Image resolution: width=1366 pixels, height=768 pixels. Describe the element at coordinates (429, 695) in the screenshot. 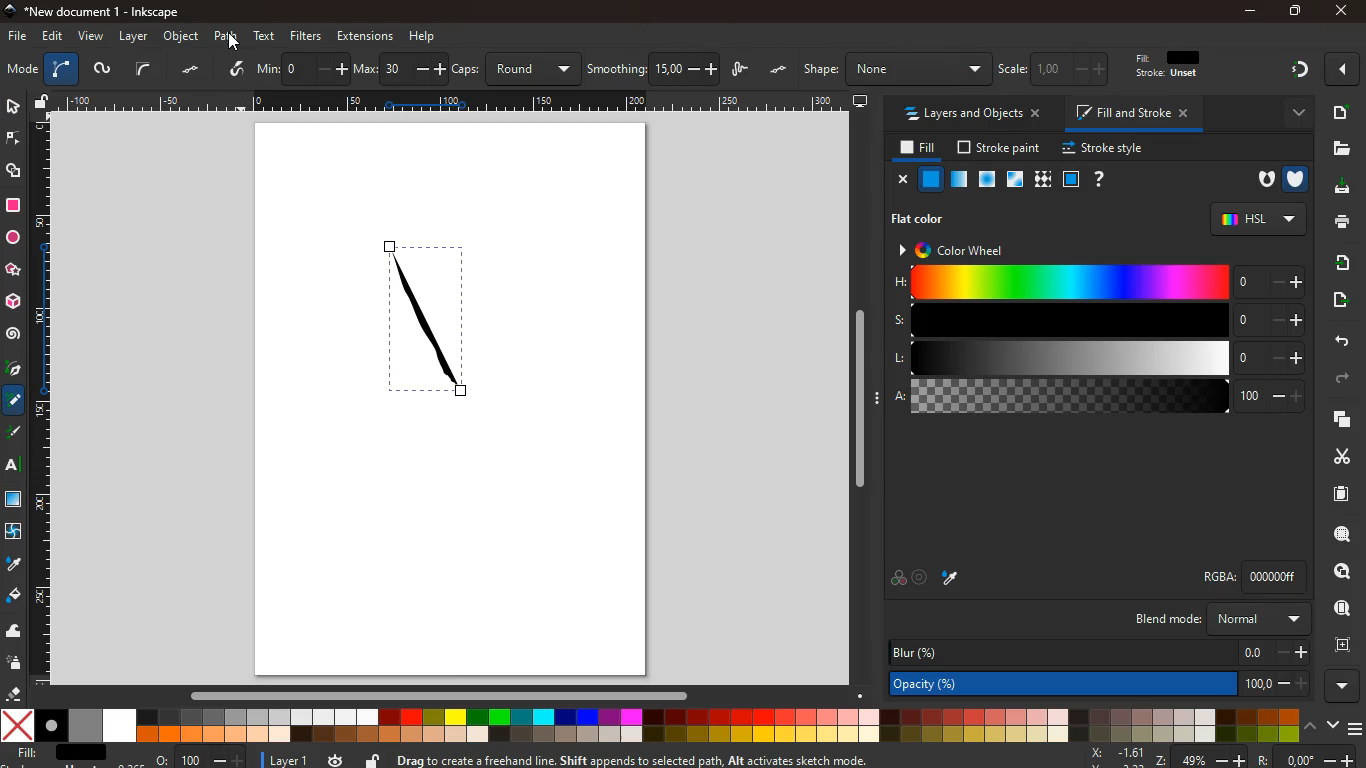

I see `Horizontal scroll bar` at that location.